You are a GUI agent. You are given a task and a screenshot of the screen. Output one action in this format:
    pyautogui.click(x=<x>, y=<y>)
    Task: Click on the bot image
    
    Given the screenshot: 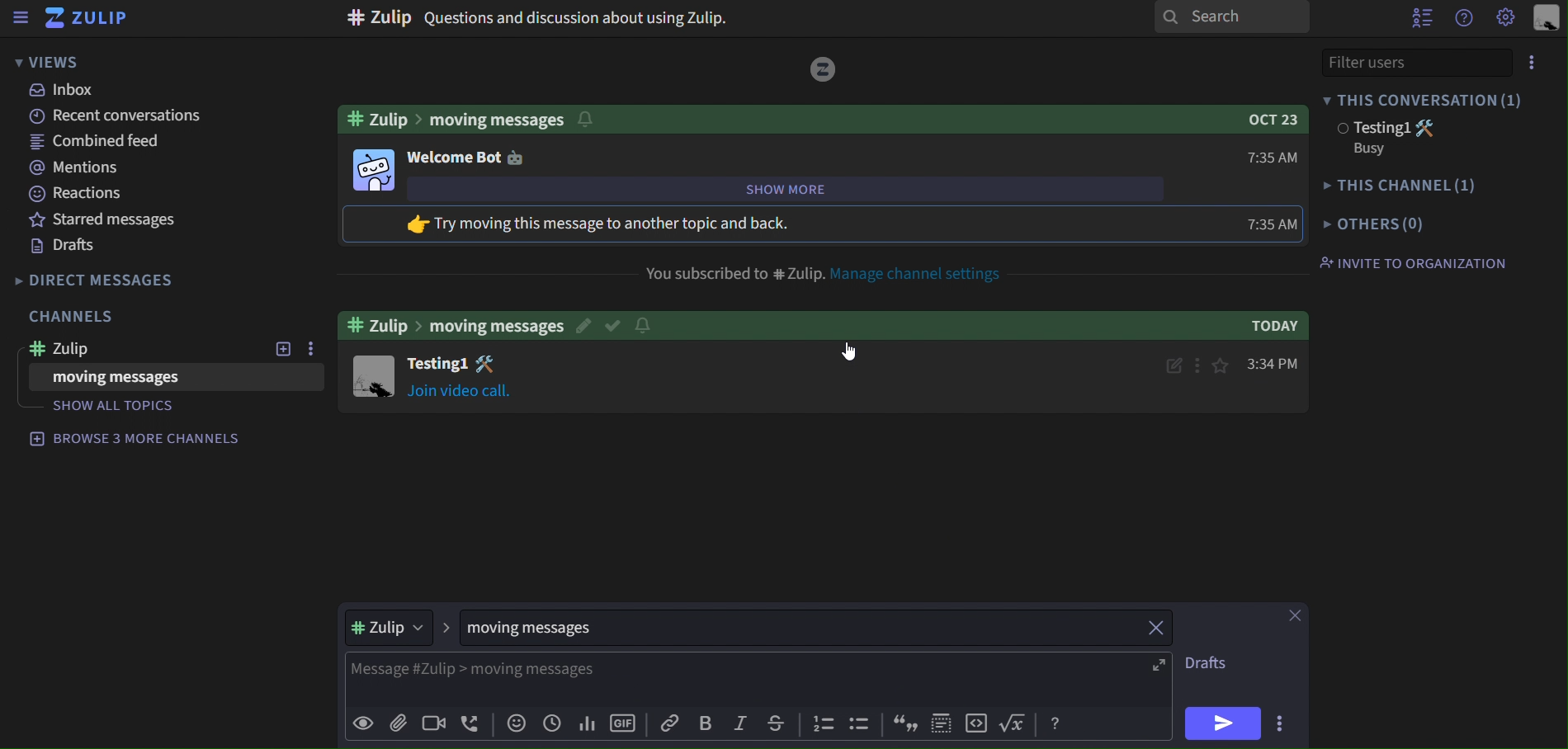 What is the action you would take?
    pyautogui.click(x=373, y=168)
    